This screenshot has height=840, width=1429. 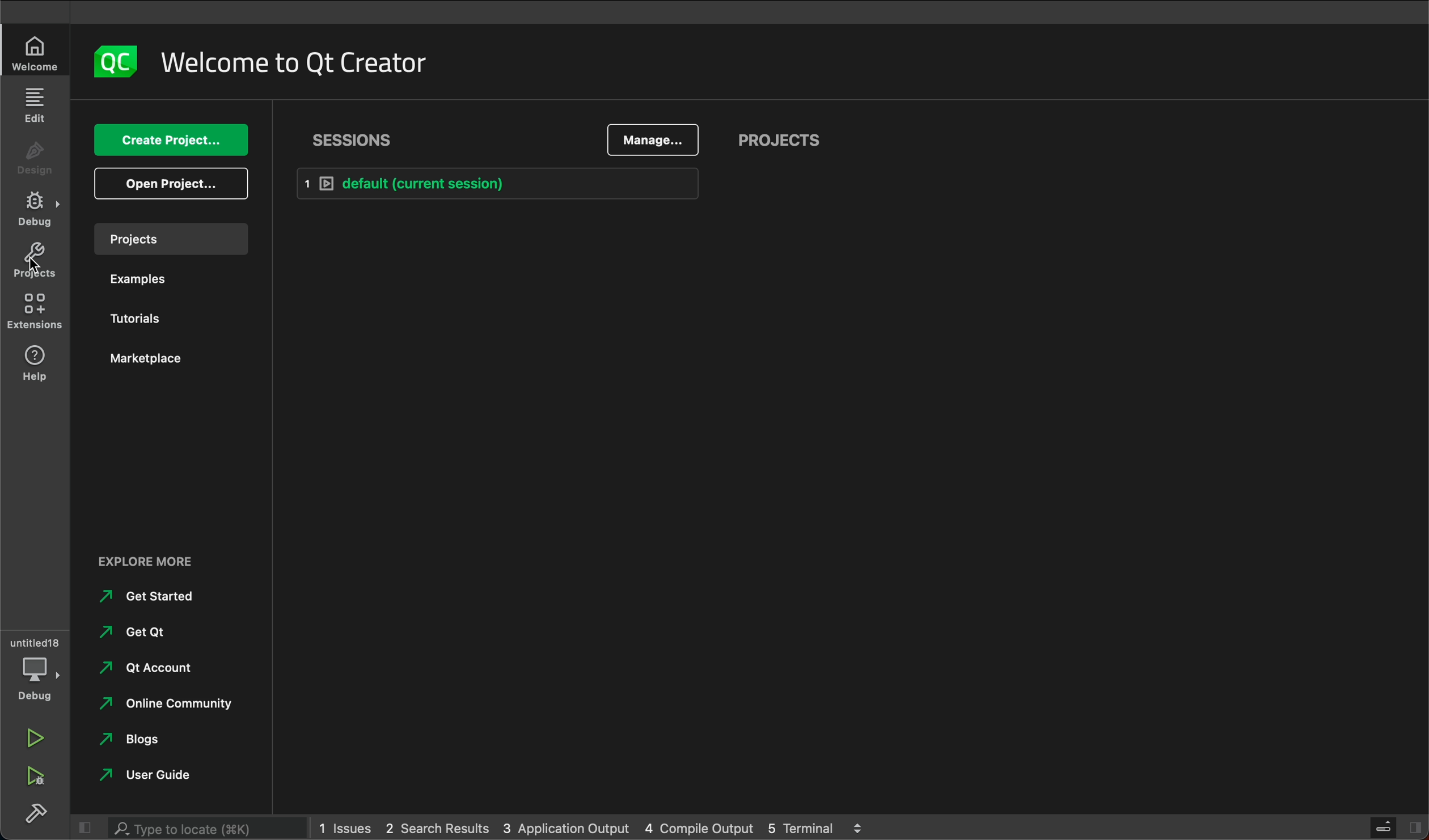 I want to click on get started, so click(x=158, y=597).